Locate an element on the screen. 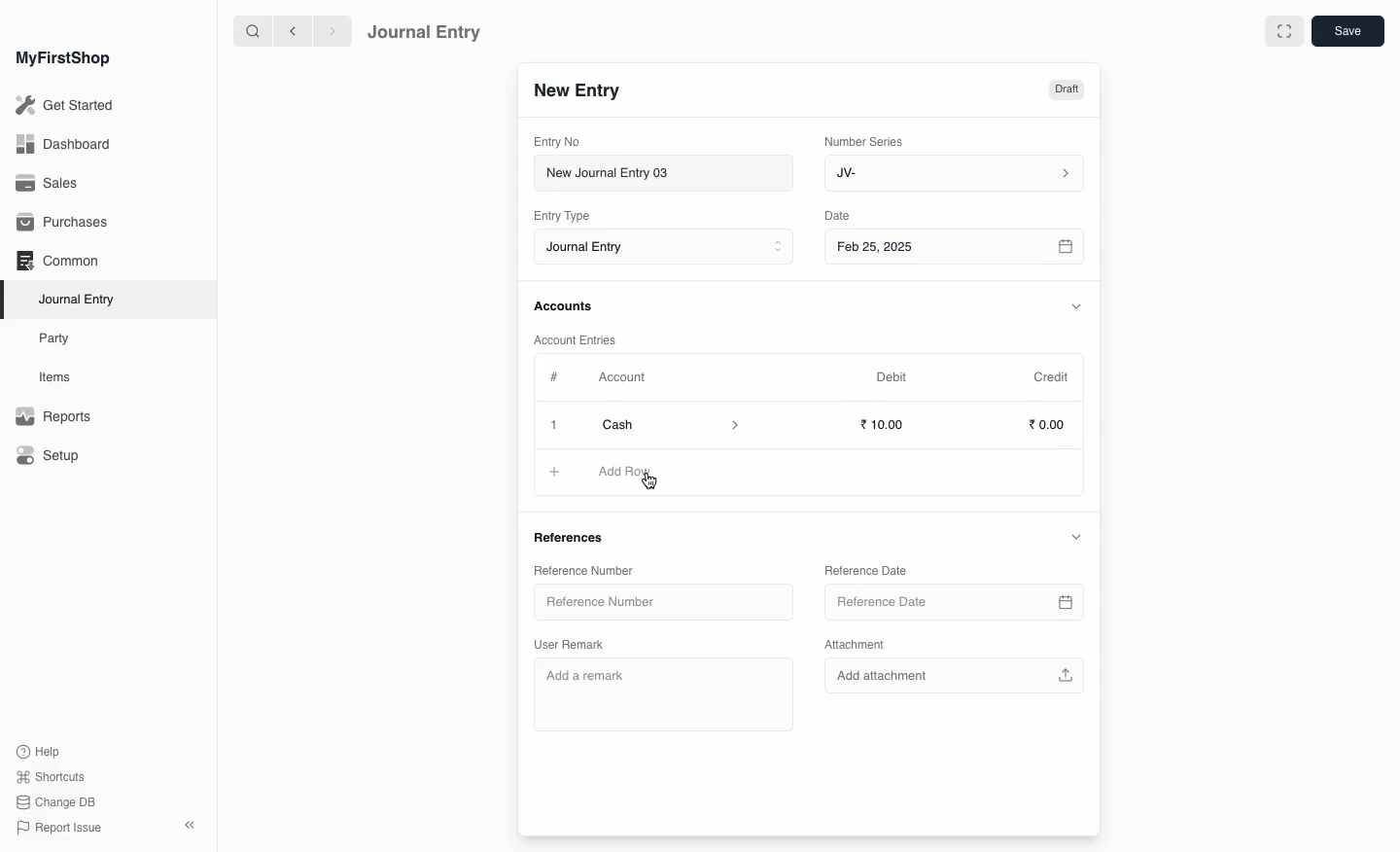 This screenshot has width=1400, height=852. Feb 25, 2025 8 is located at coordinates (956, 246).